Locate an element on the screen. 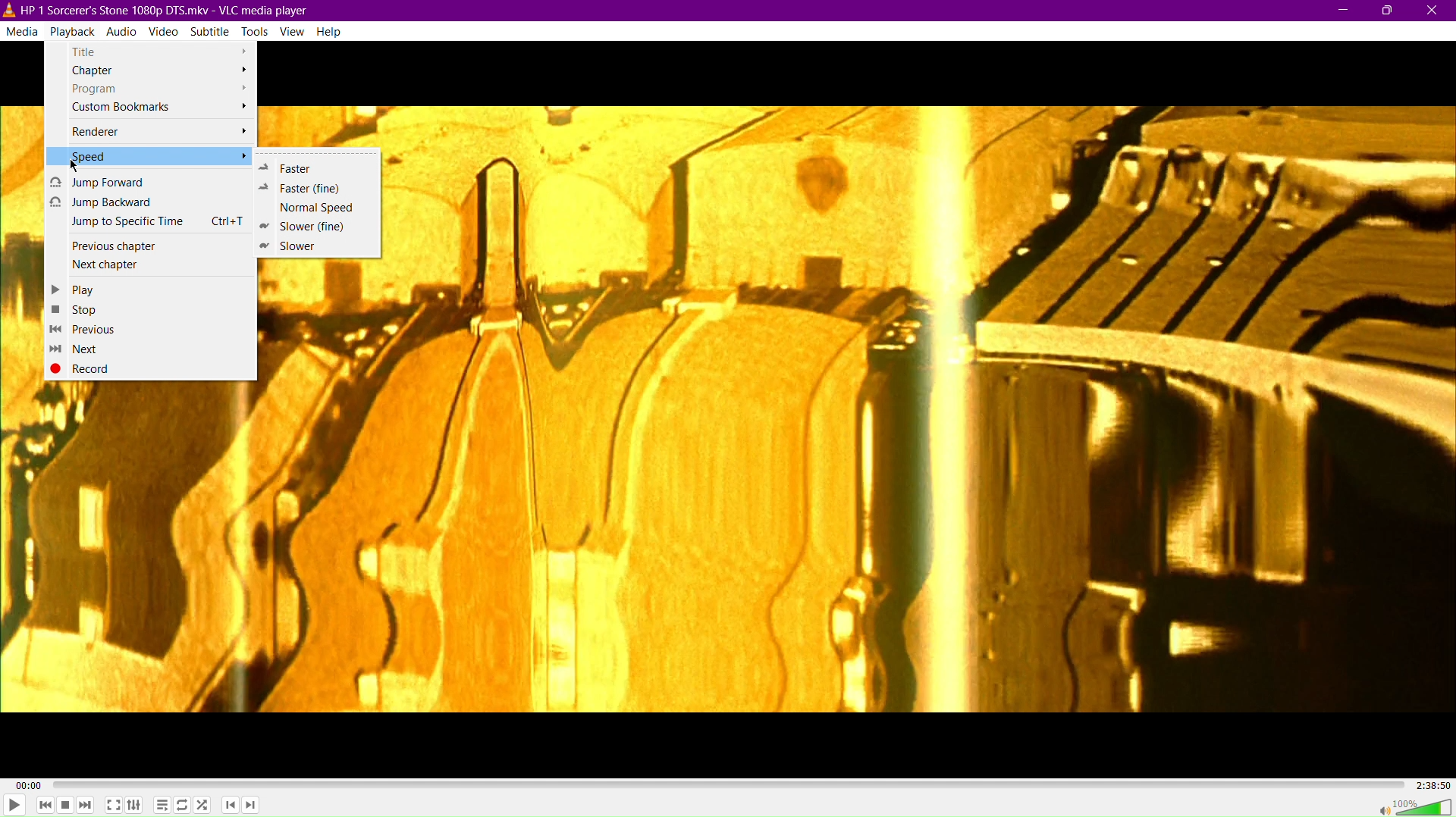  Next is located at coordinates (78, 349).